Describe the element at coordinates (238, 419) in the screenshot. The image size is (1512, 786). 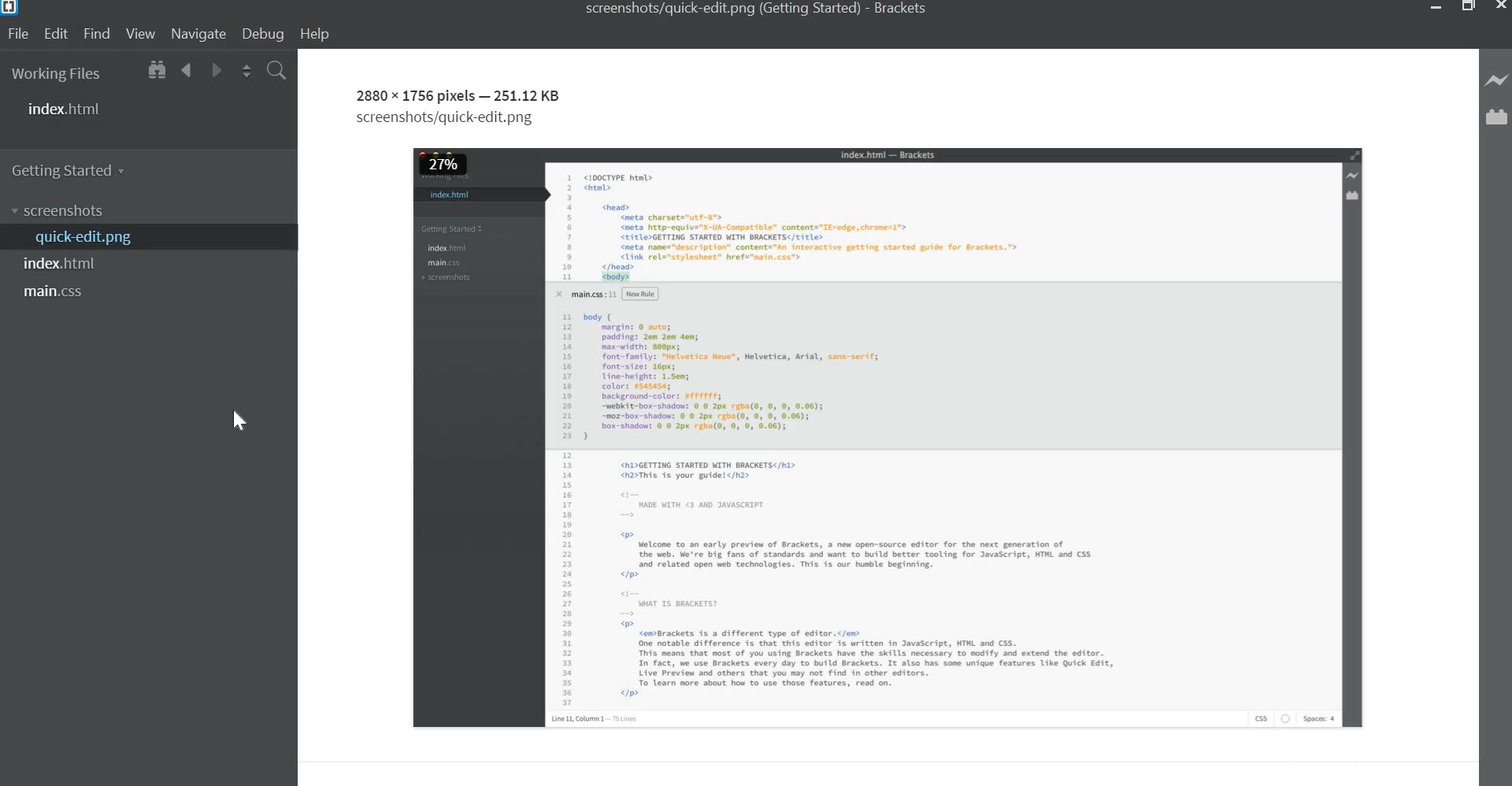
I see `cursor` at that location.